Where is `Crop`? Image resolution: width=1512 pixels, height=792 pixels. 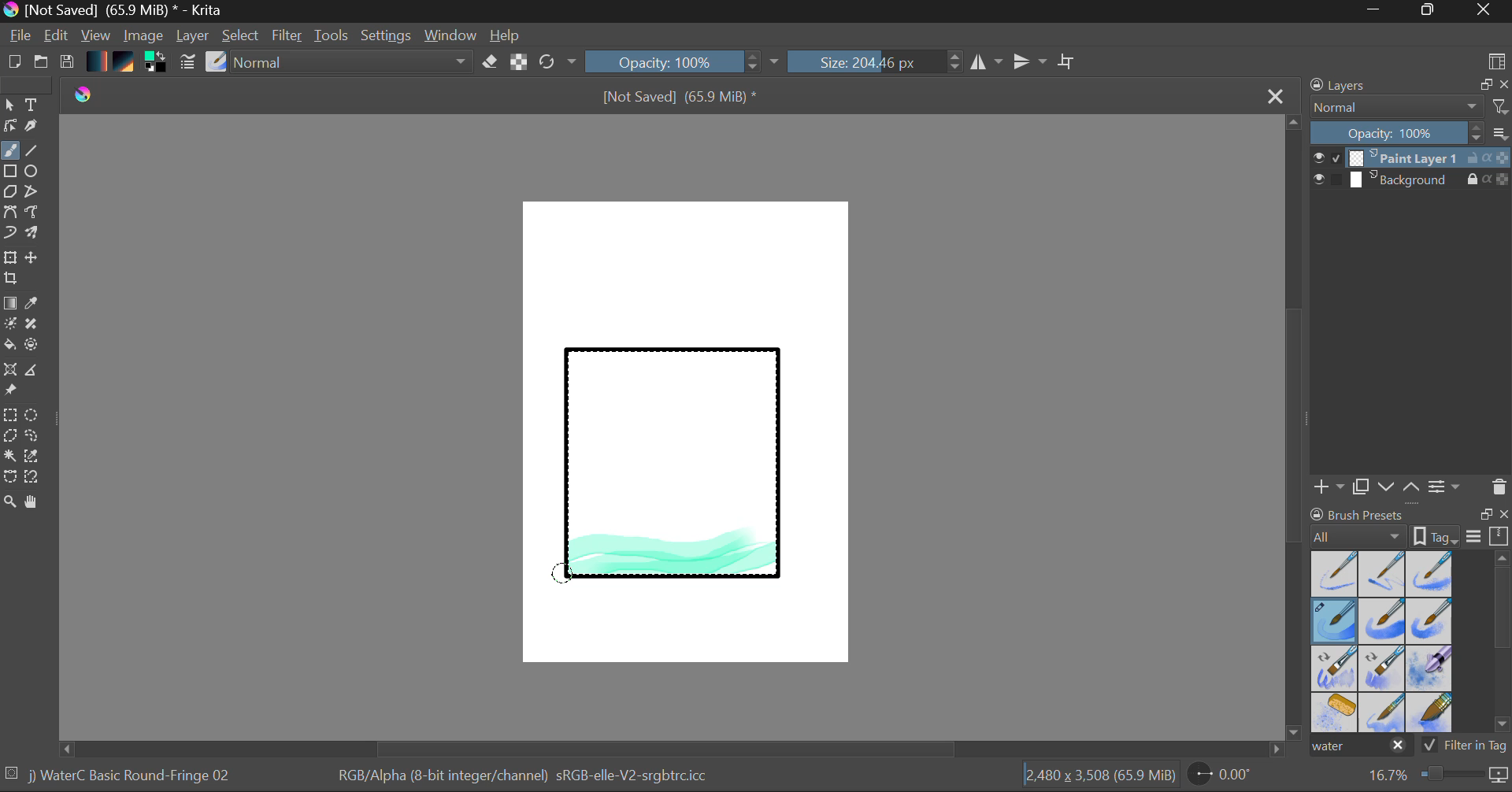
Crop is located at coordinates (13, 279).